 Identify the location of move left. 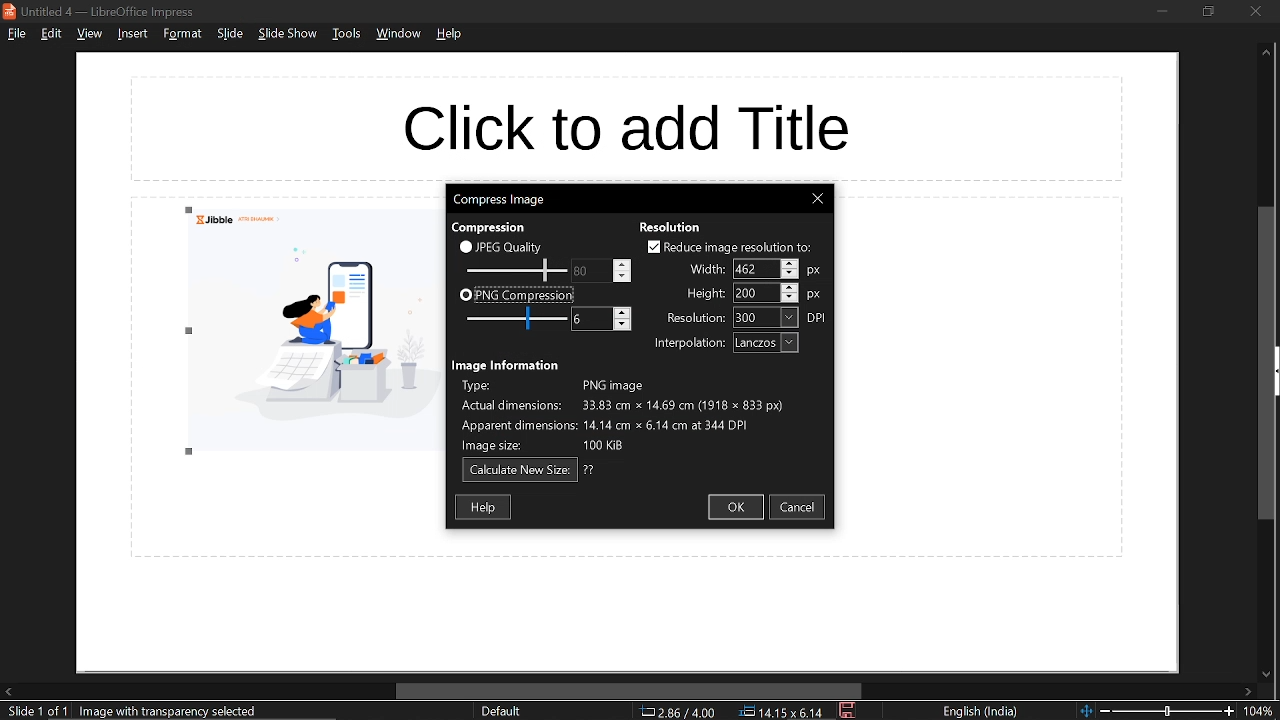
(8, 691).